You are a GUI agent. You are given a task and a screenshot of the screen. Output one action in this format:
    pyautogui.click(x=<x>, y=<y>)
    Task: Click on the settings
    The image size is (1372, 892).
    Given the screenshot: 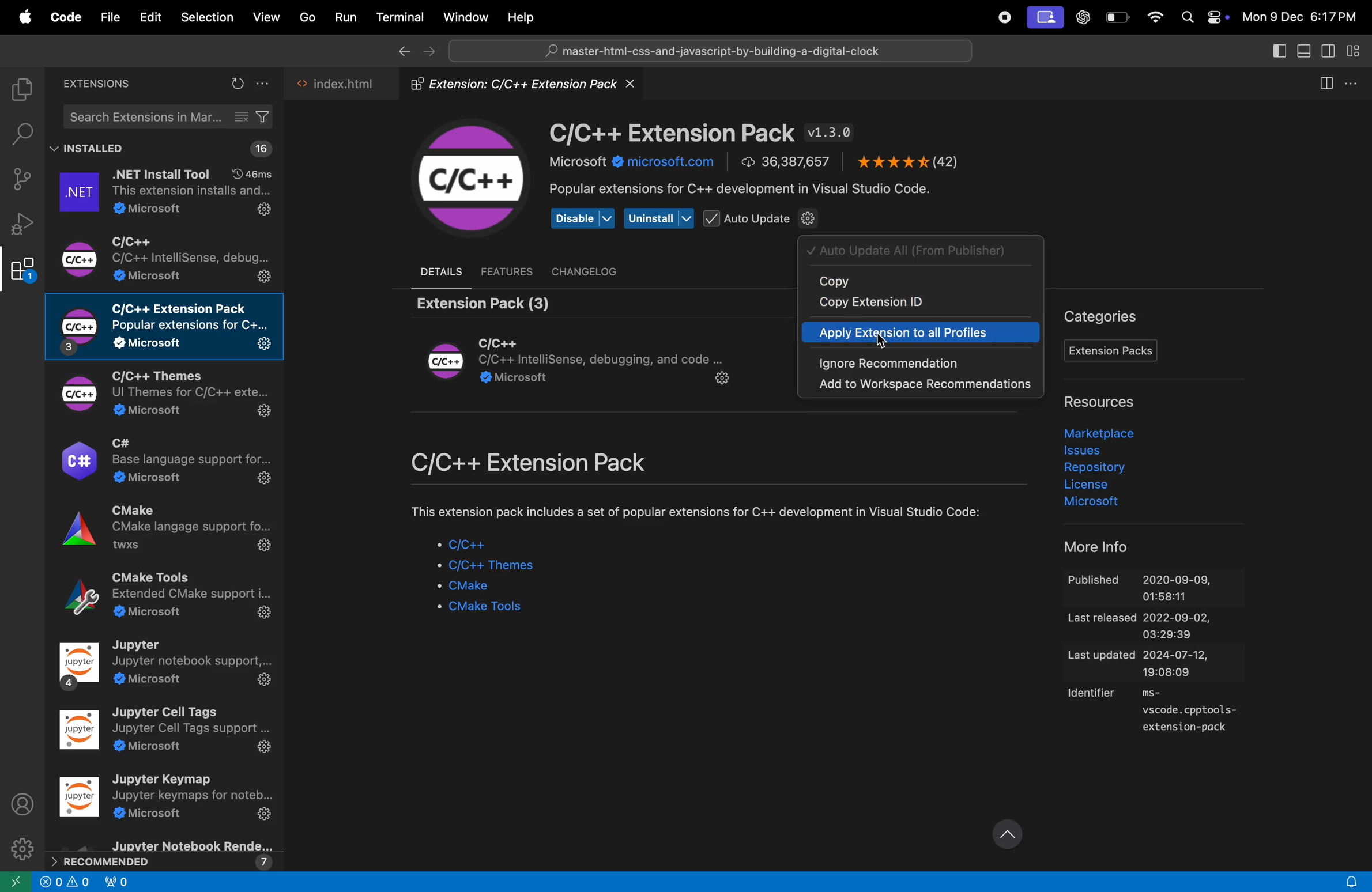 What is the action you would take?
    pyautogui.click(x=21, y=846)
    